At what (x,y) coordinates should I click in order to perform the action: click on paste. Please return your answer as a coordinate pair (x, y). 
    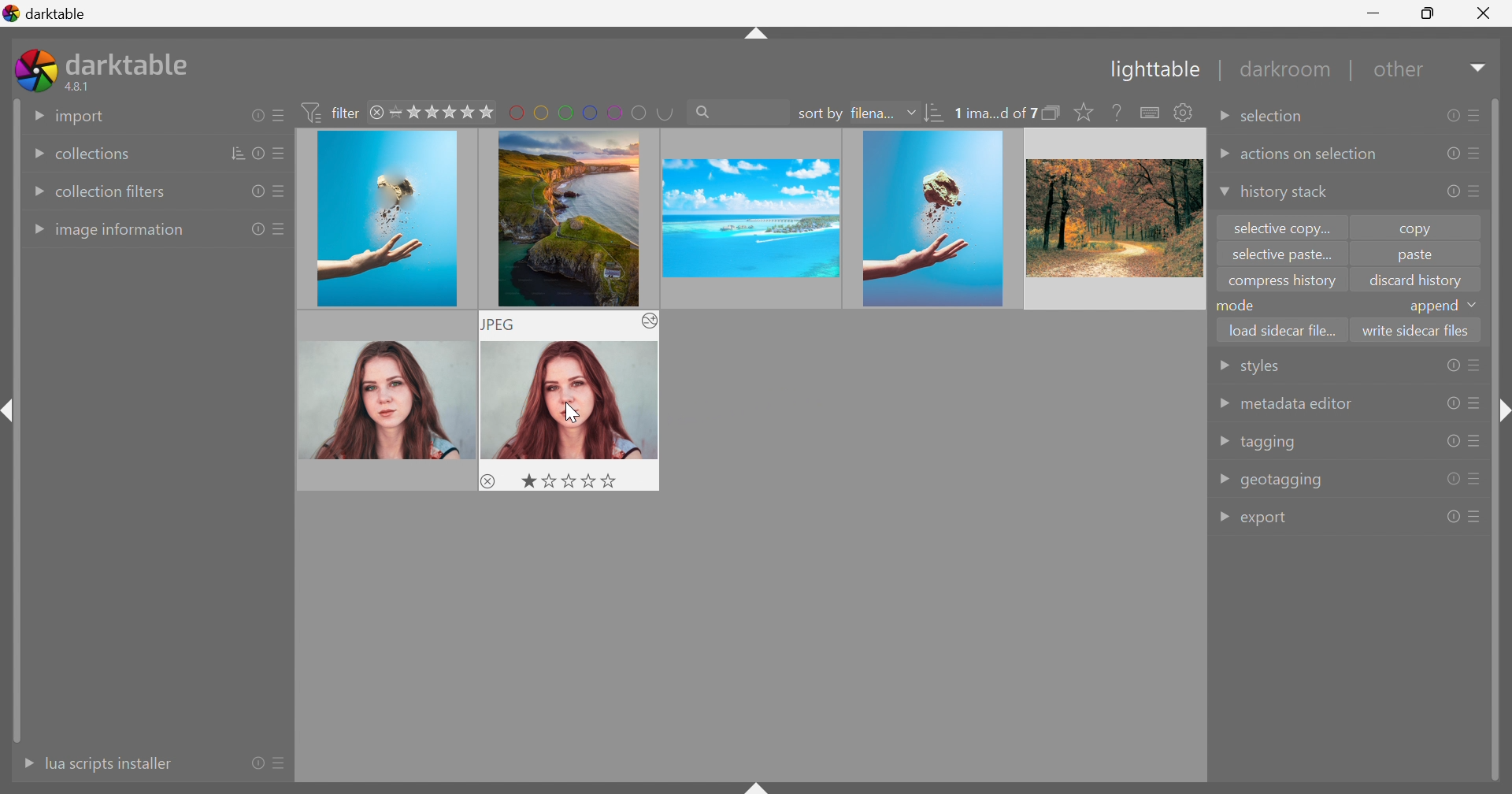
    Looking at the image, I should click on (1414, 258).